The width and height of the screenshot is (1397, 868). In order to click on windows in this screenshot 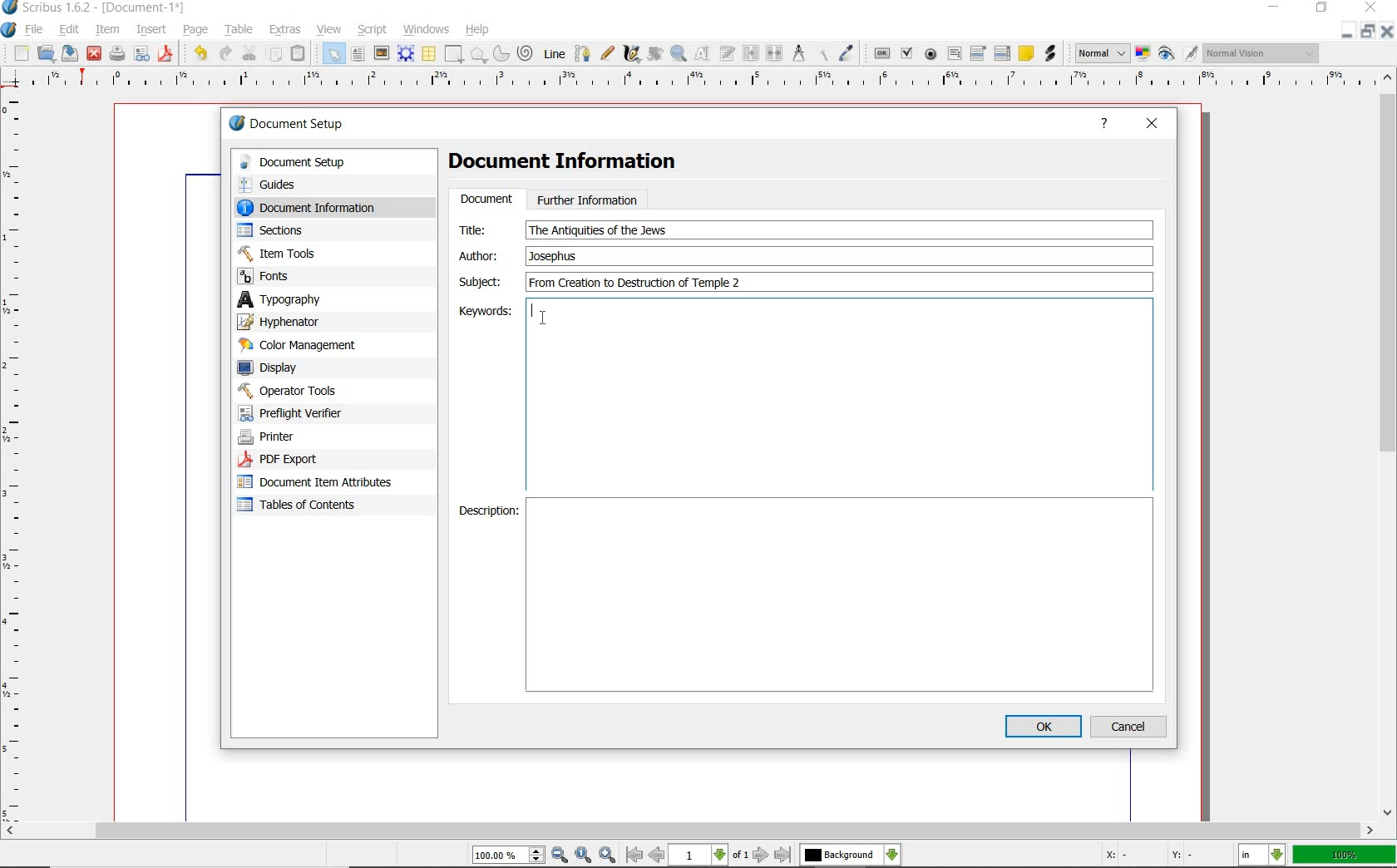, I will do `click(427, 30)`.